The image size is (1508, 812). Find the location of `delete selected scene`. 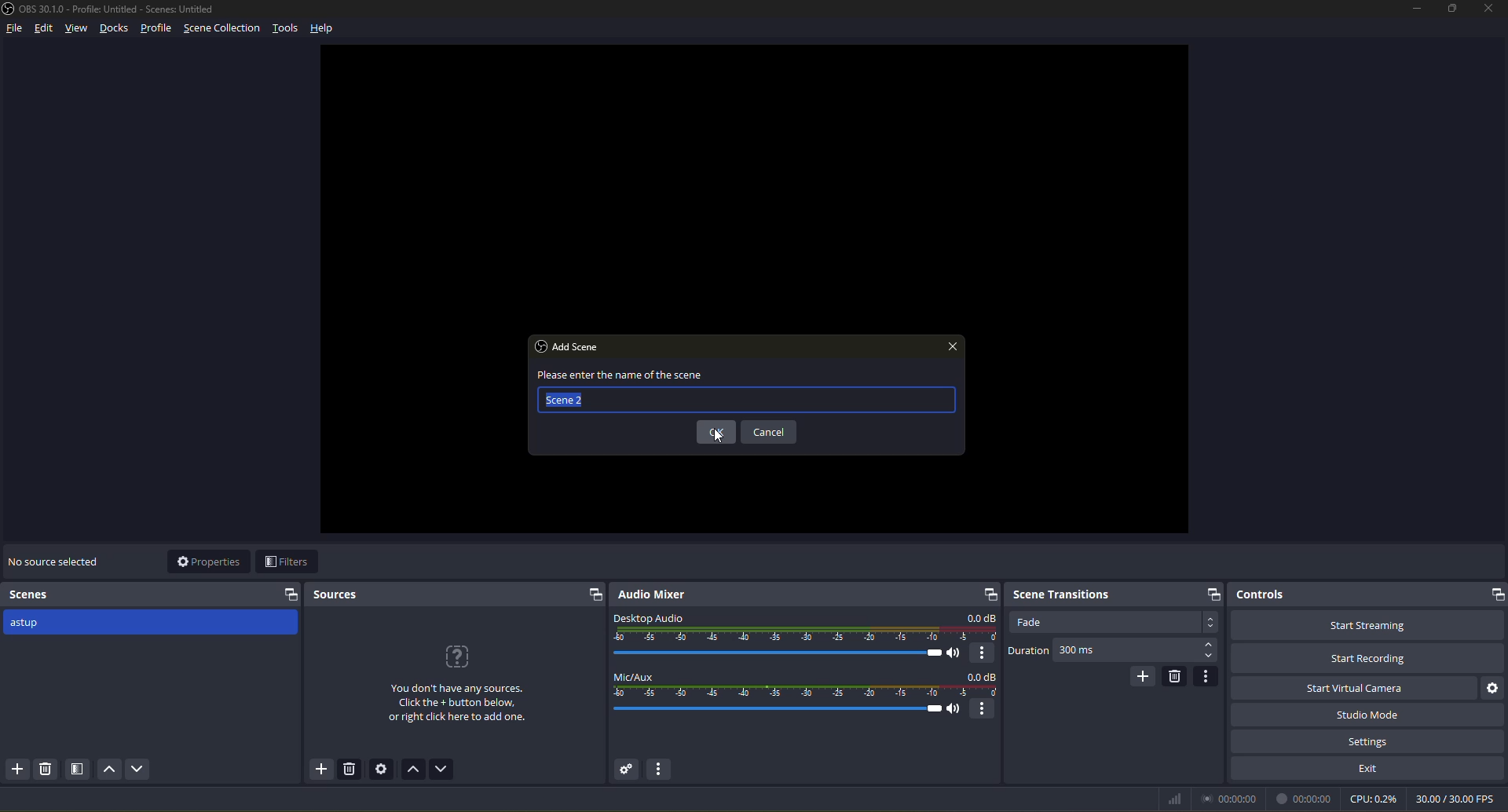

delete selected scene is located at coordinates (47, 768).